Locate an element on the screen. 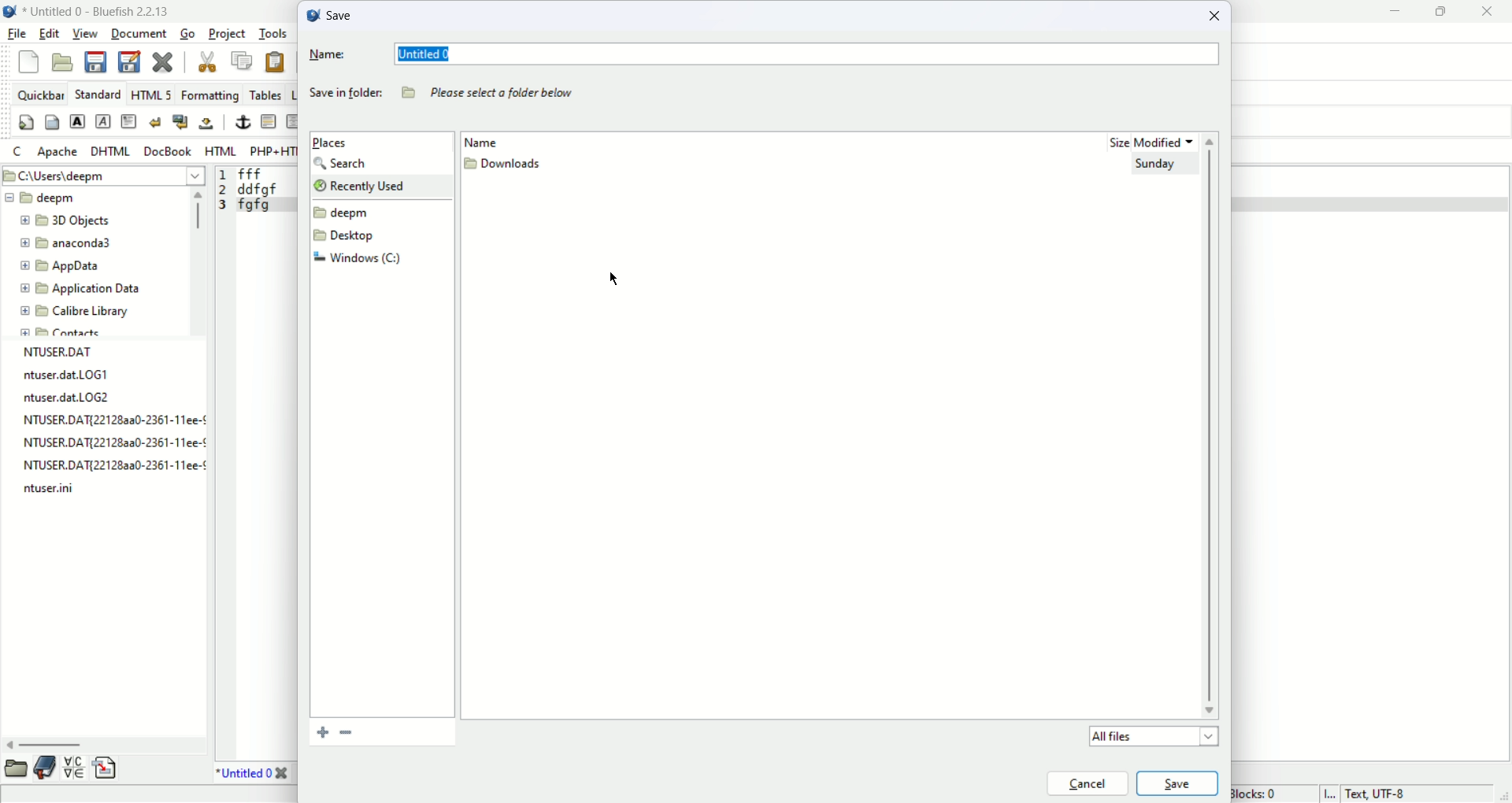 The image size is (1512, 803). quickbar is located at coordinates (41, 94).